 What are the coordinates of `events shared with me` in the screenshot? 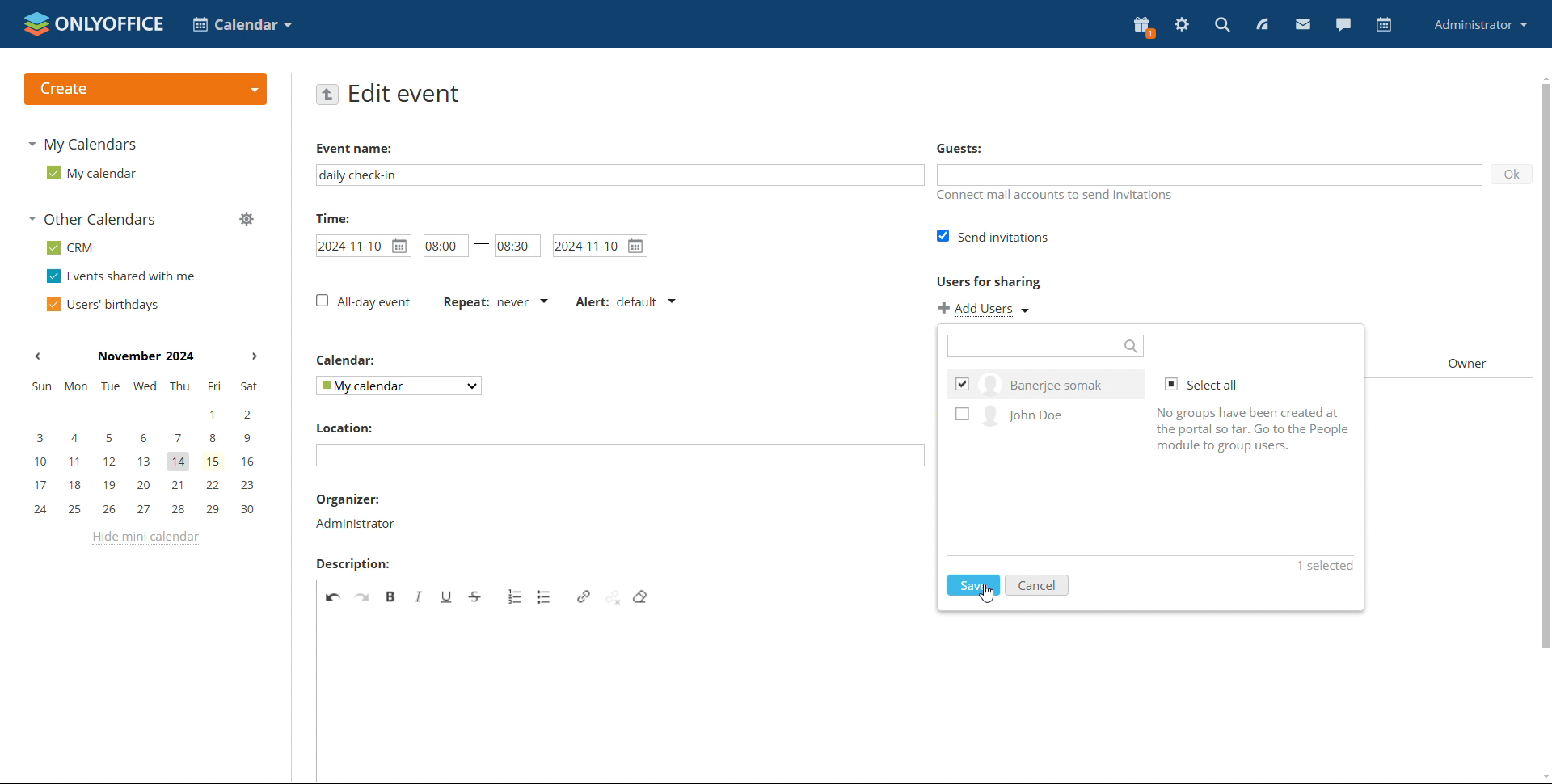 It's located at (121, 276).